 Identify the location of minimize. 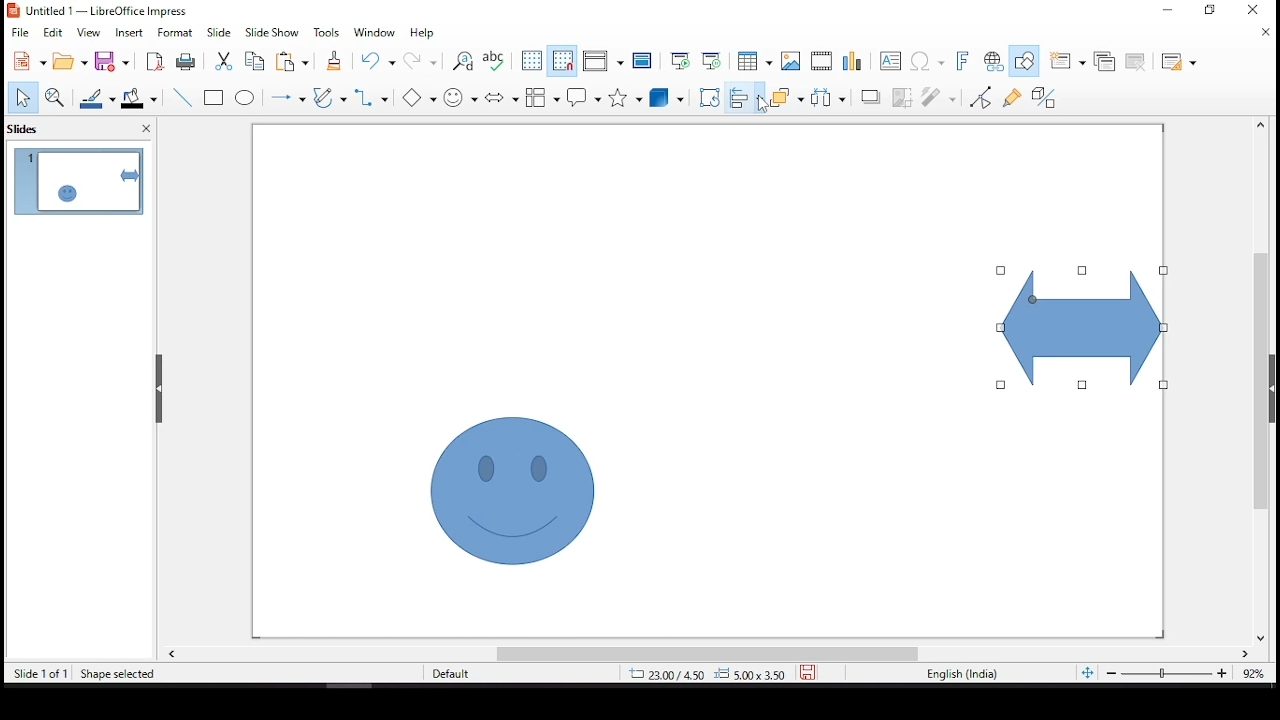
(1169, 8).